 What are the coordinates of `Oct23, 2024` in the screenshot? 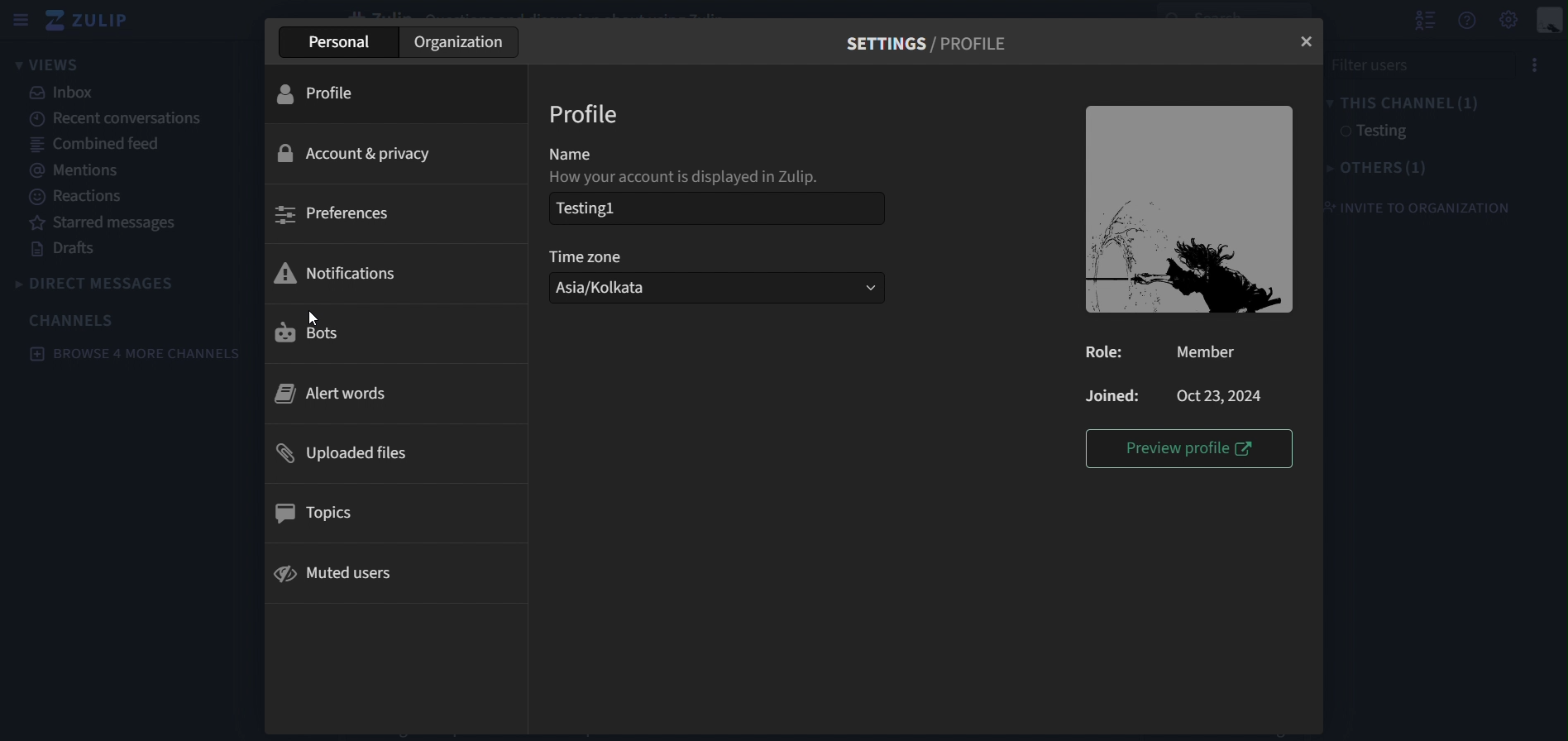 It's located at (1223, 394).